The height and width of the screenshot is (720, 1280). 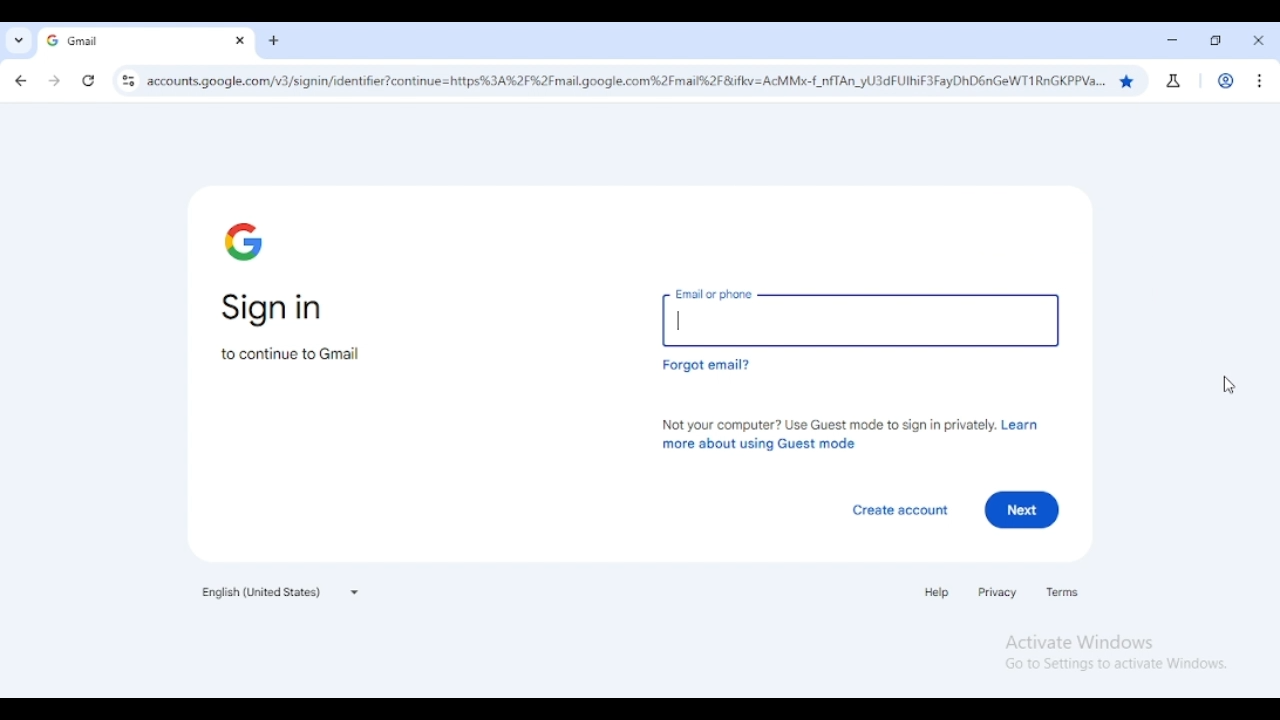 I want to click on google logo, so click(x=245, y=241).